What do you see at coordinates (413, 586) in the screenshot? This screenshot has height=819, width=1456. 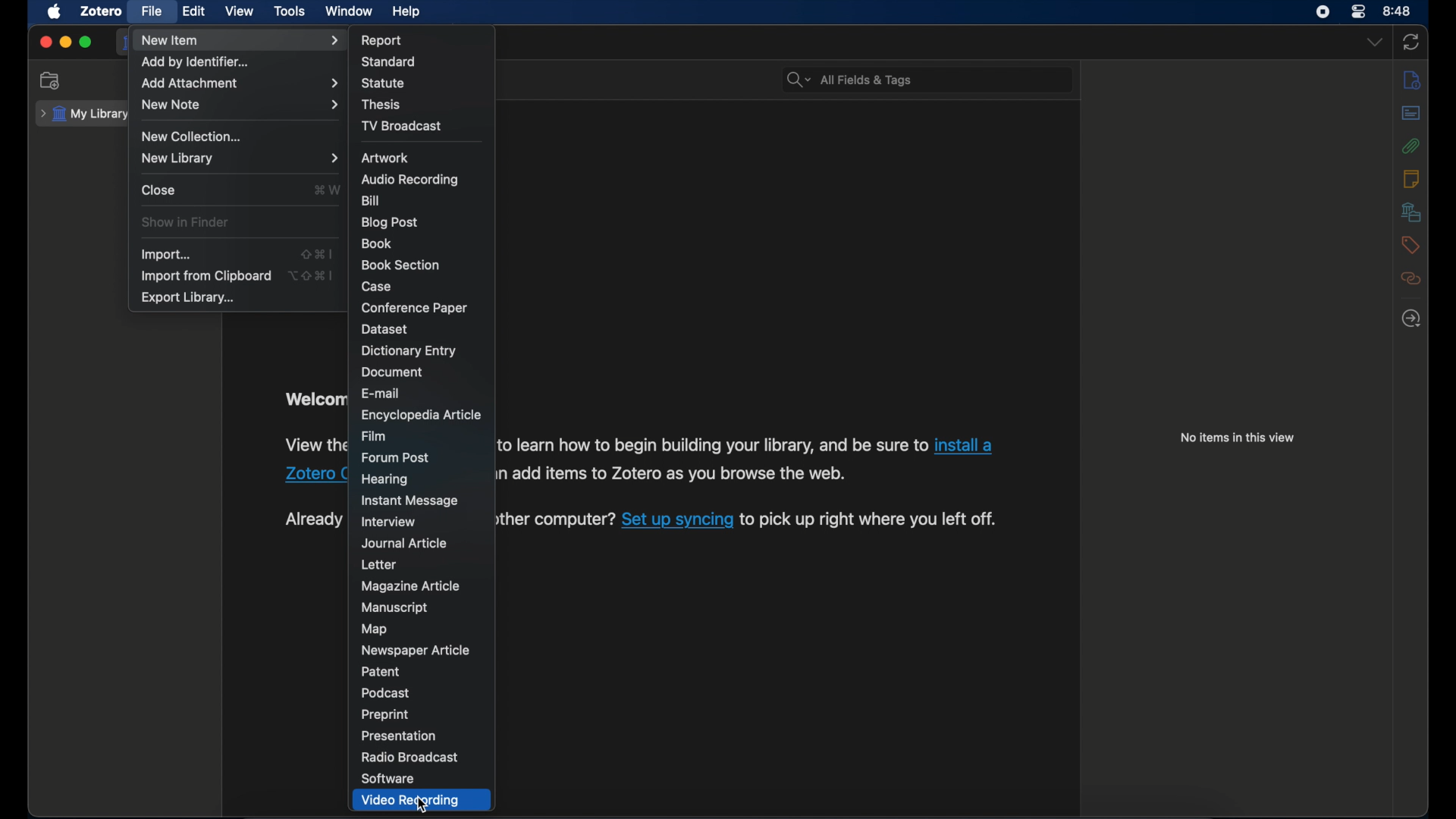 I see `magazine article` at bounding box center [413, 586].